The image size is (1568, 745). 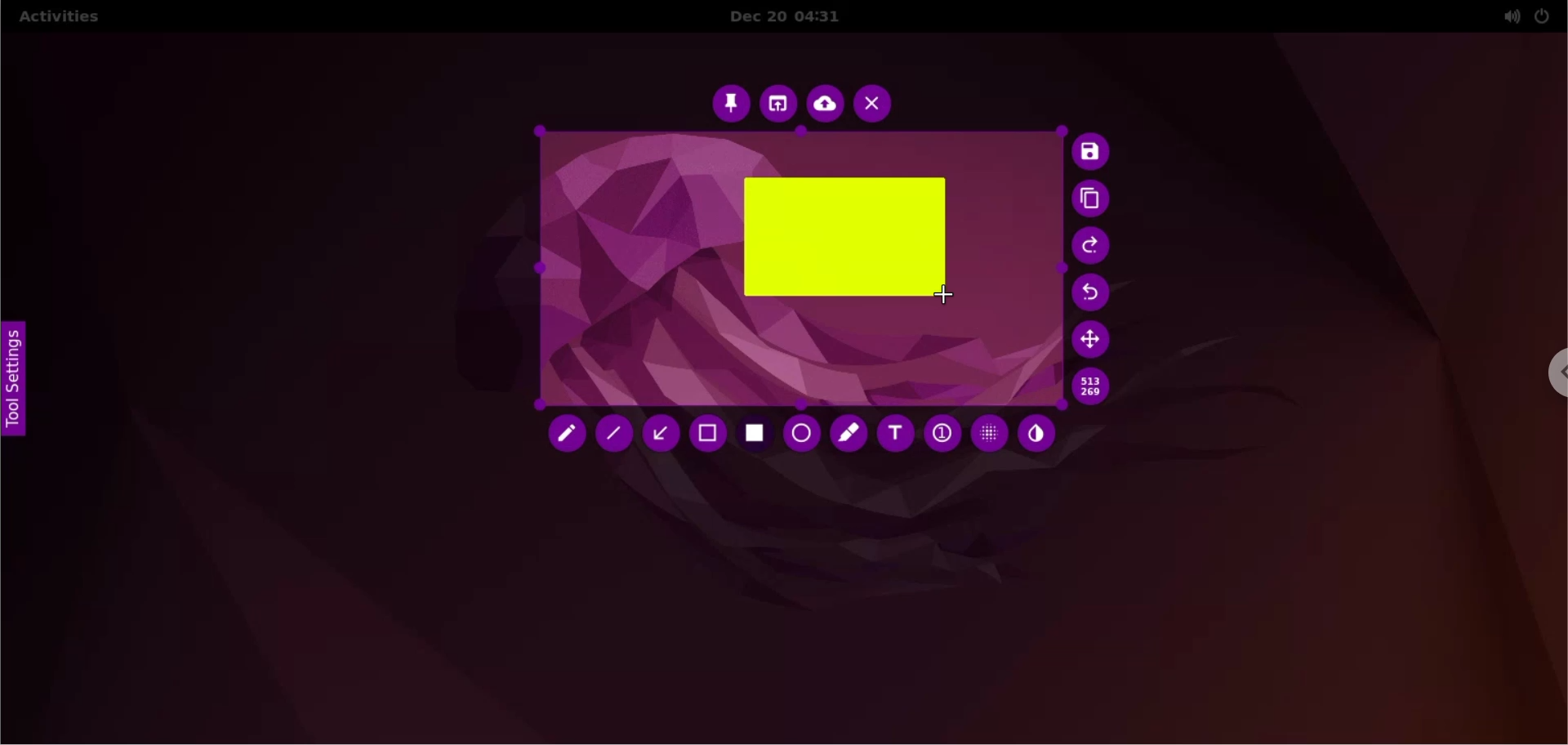 I want to click on rectangle tool, so click(x=756, y=435).